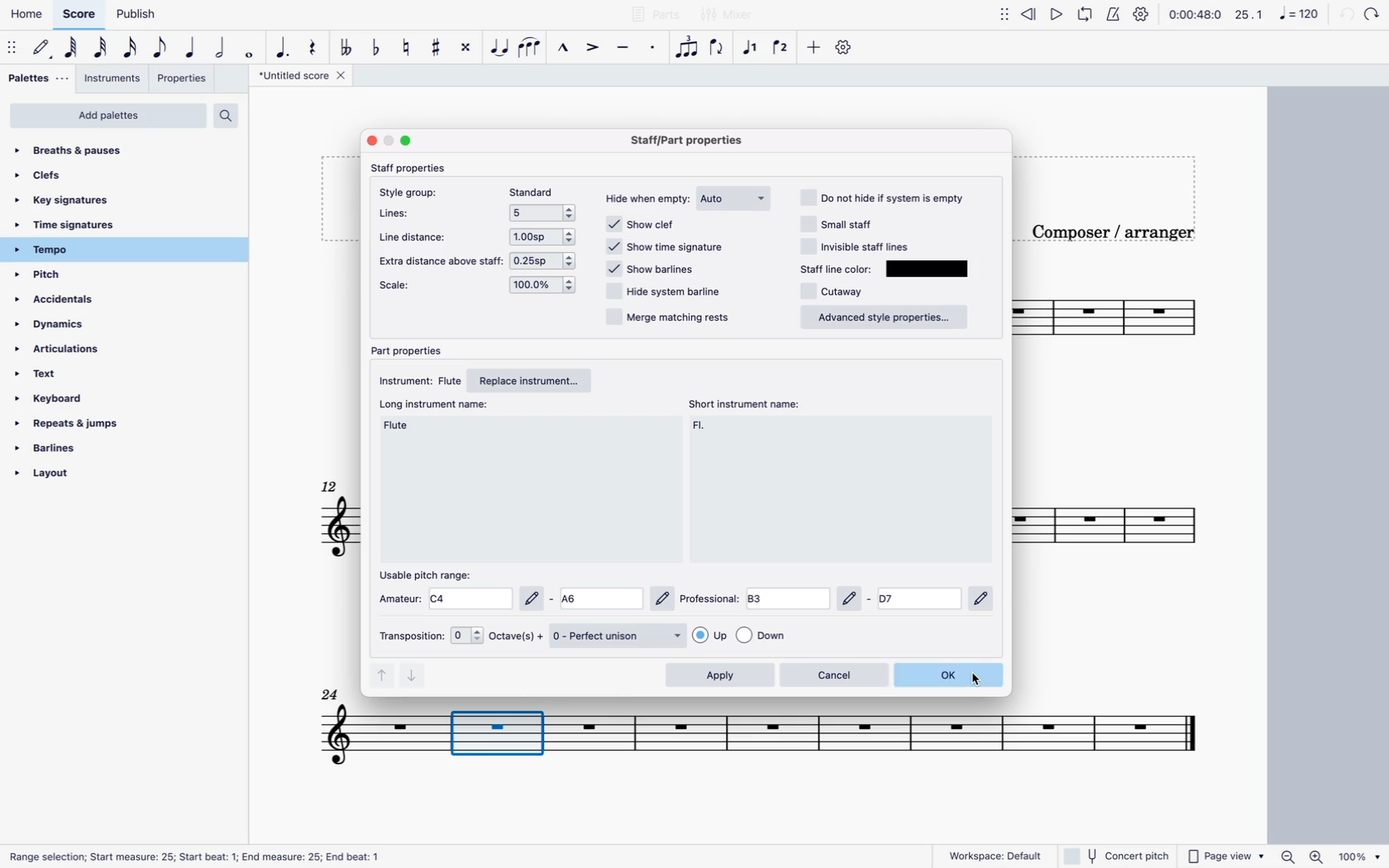 This screenshot has height=868, width=1389. What do you see at coordinates (1107, 316) in the screenshot?
I see `score` at bounding box center [1107, 316].